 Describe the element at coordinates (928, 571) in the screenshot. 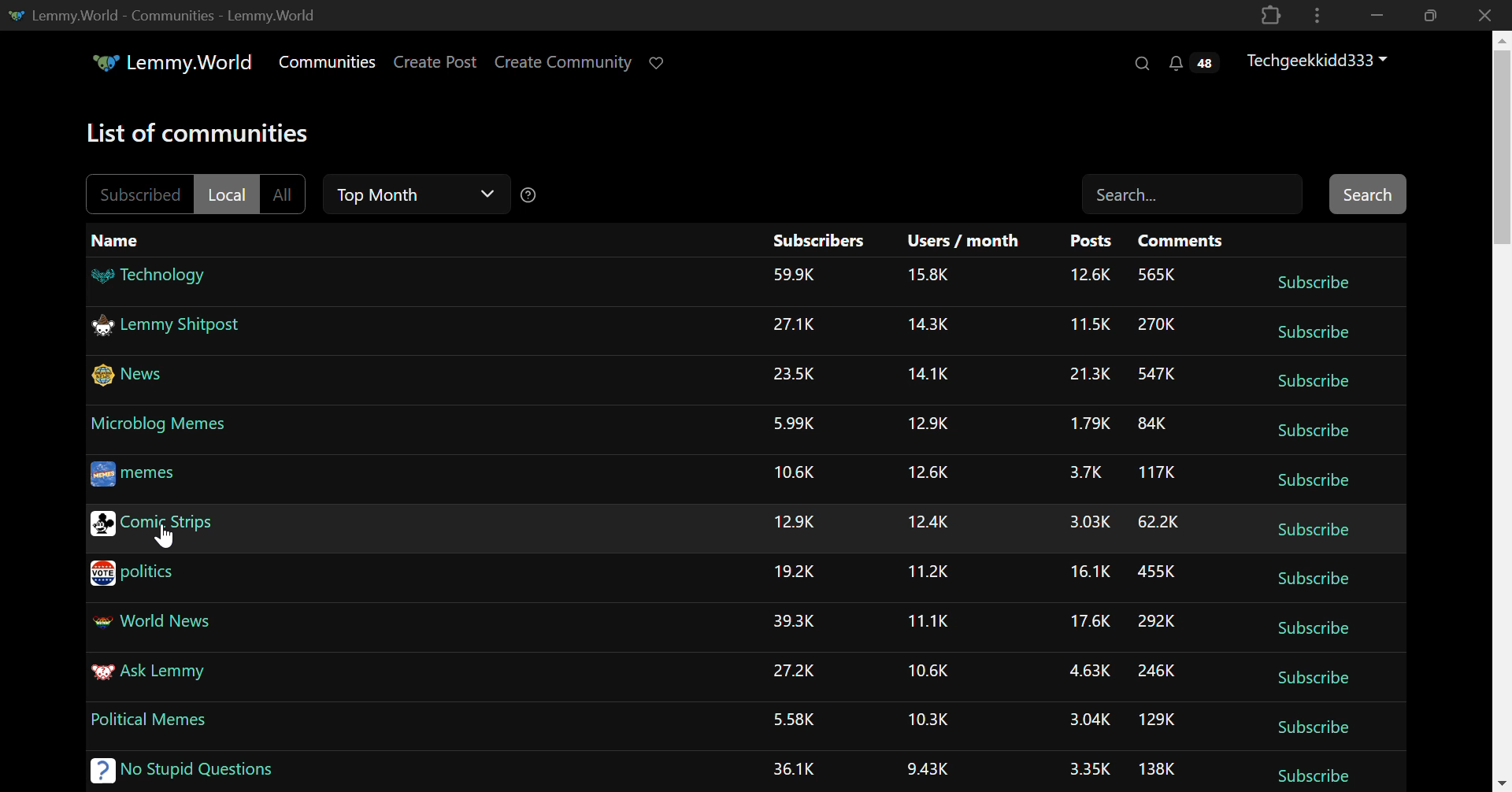

I see `11.2K` at that location.